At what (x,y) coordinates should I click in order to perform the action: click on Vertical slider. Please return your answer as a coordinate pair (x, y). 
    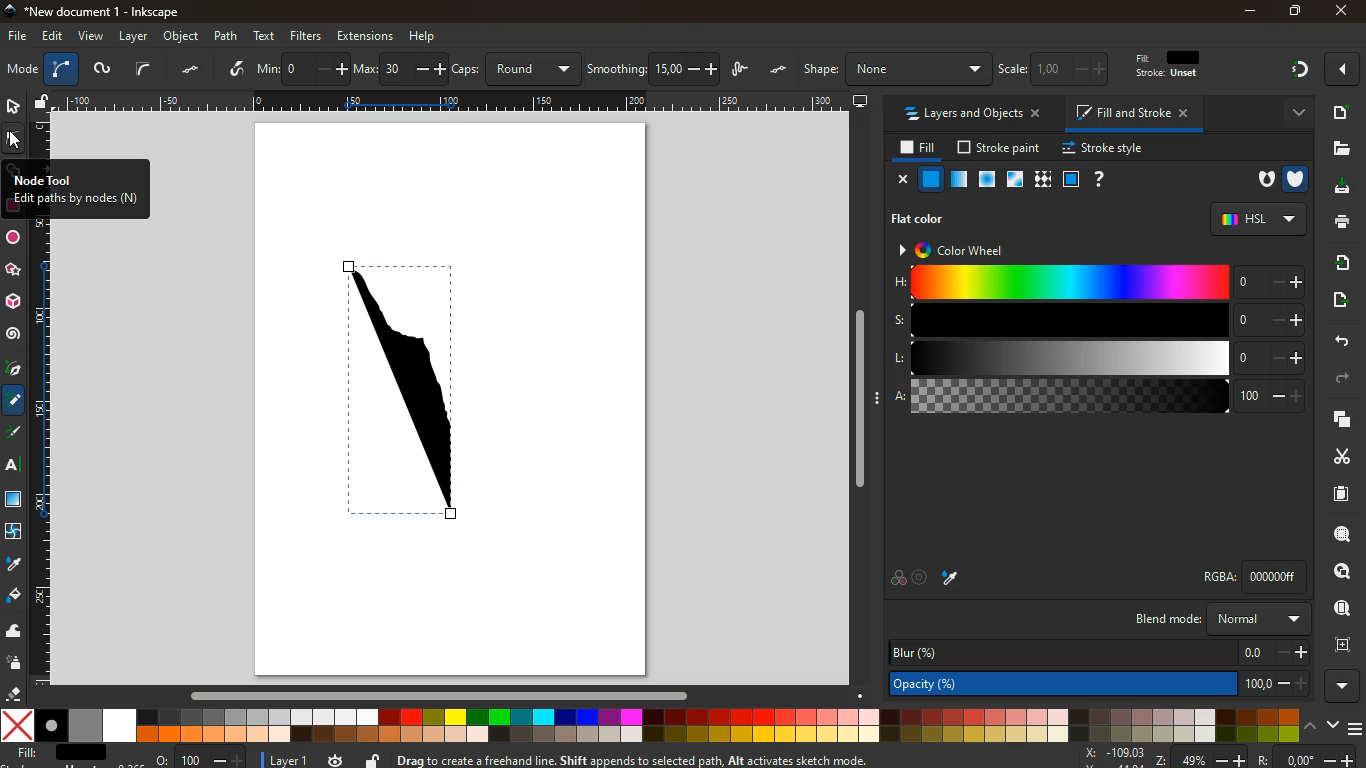
    Looking at the image, I should click on (862, 399).